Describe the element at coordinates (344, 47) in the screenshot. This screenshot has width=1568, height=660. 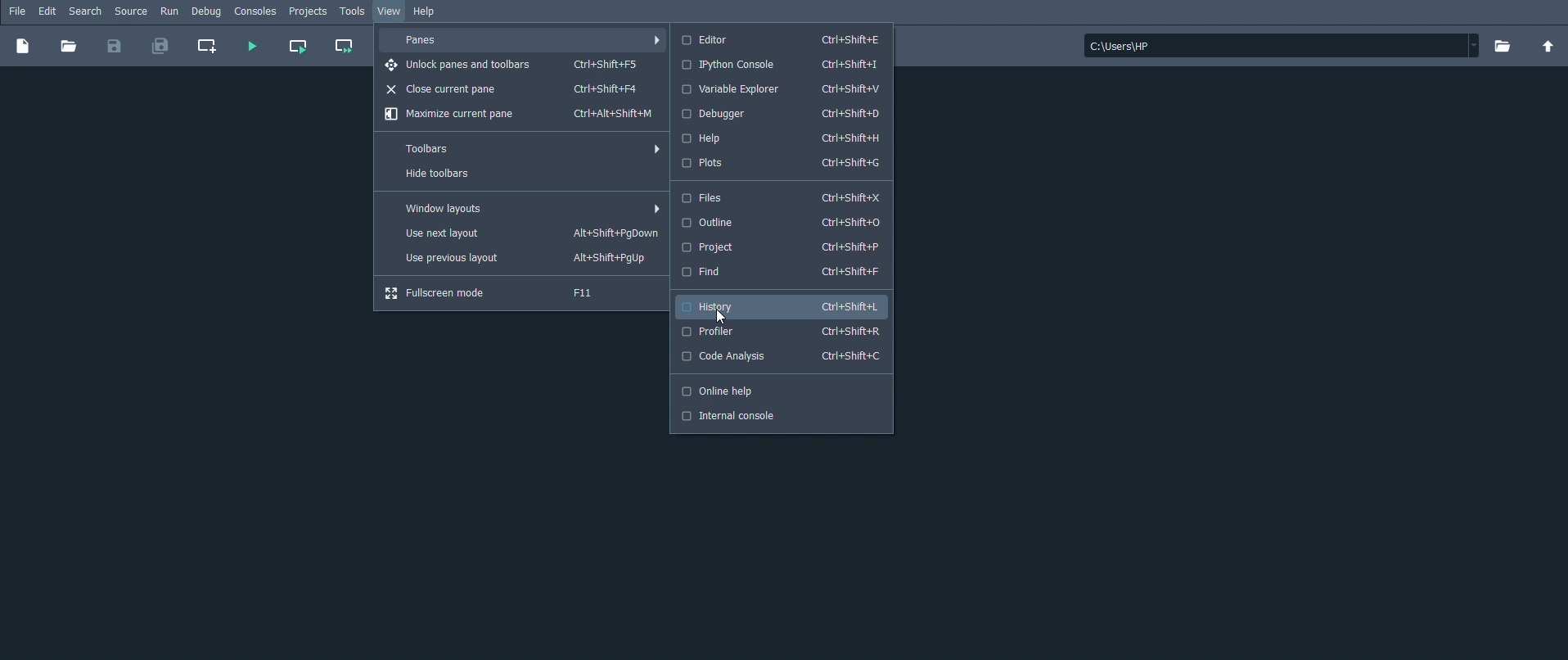
I see `Run current cell and go to the next one` at that location.